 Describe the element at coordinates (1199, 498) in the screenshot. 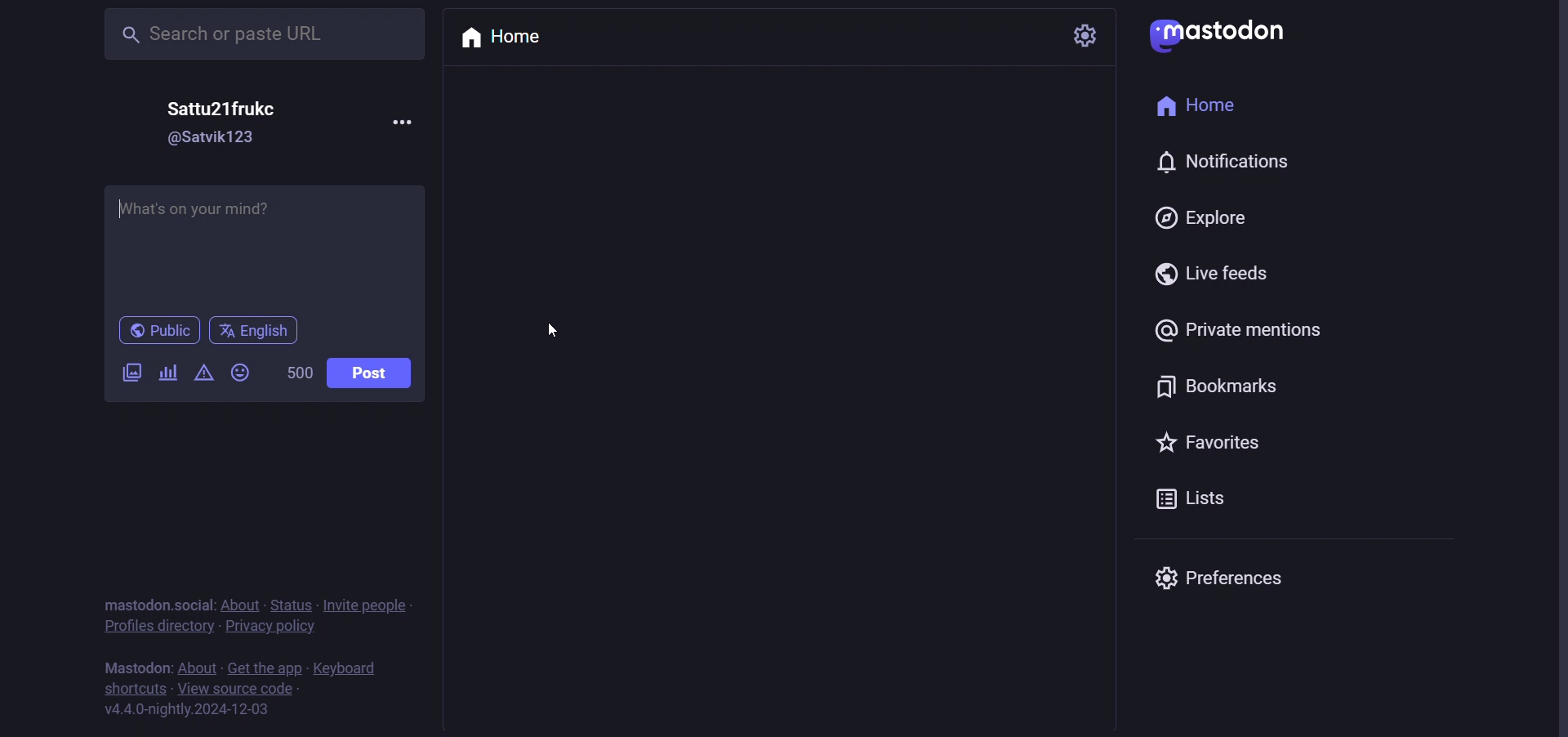

I see `list` at that location.